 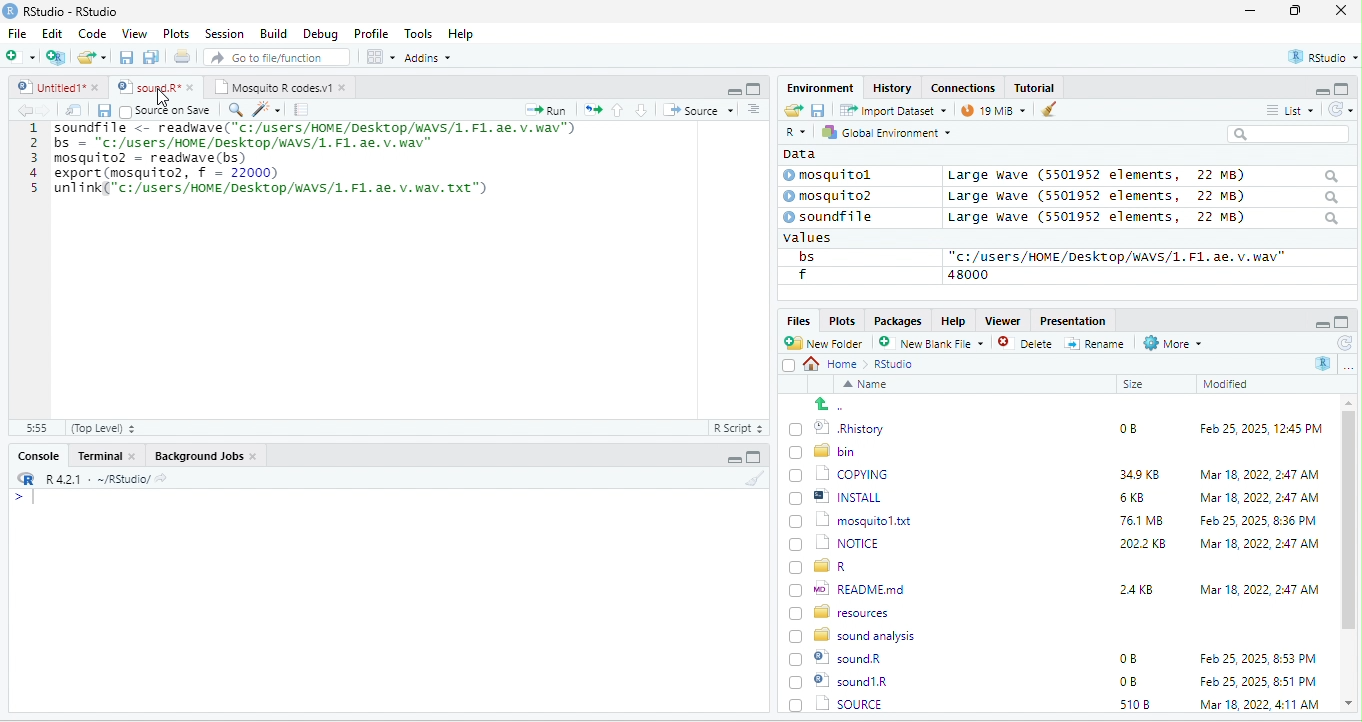 What do you see at coordinates (20, 500) in the screenshot?
I see `syntax` at bounding box center [20, 500].